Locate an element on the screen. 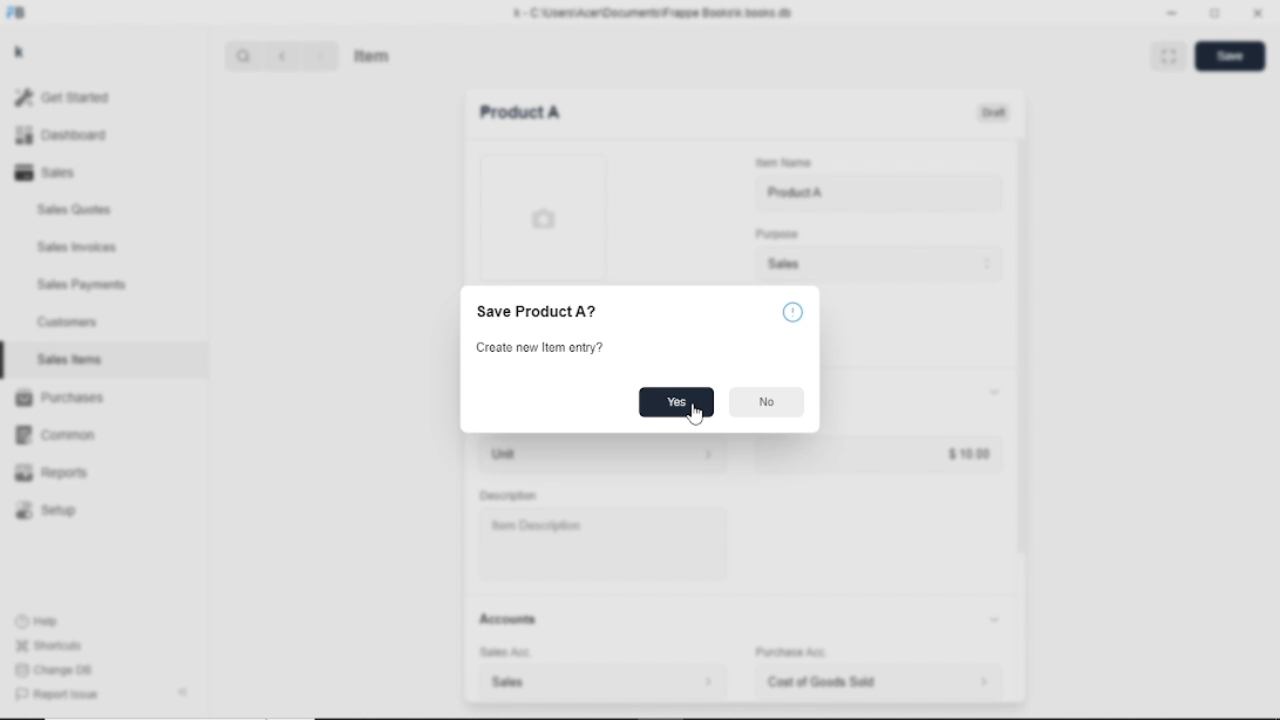 The width and height of the screenshot is (1280, 720). Vertical scrollbar is located at coordinates (1023, 345).